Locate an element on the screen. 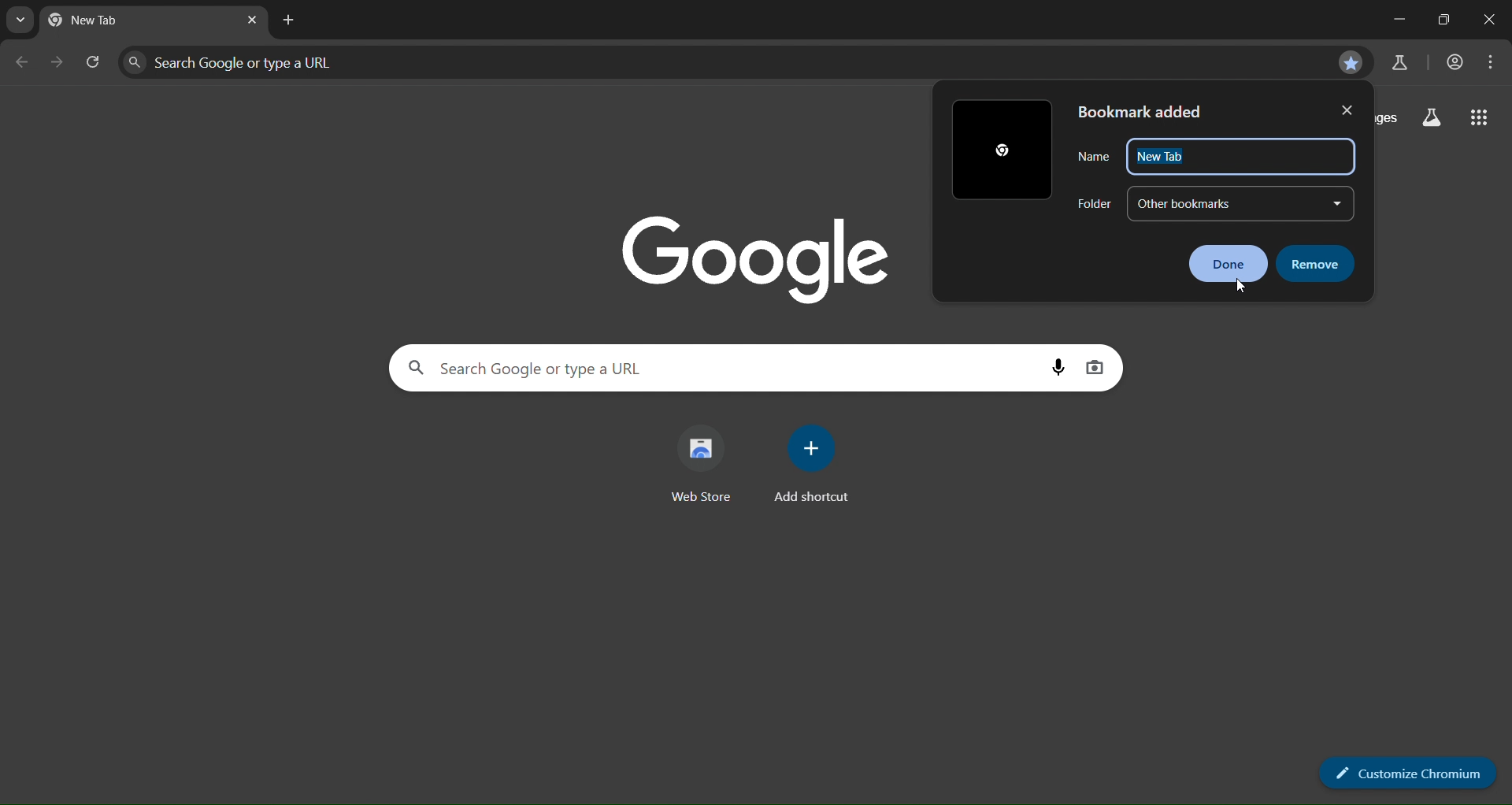 This screenshot has height=805, width=1512. remove  is located at coordinates (1320, 263).